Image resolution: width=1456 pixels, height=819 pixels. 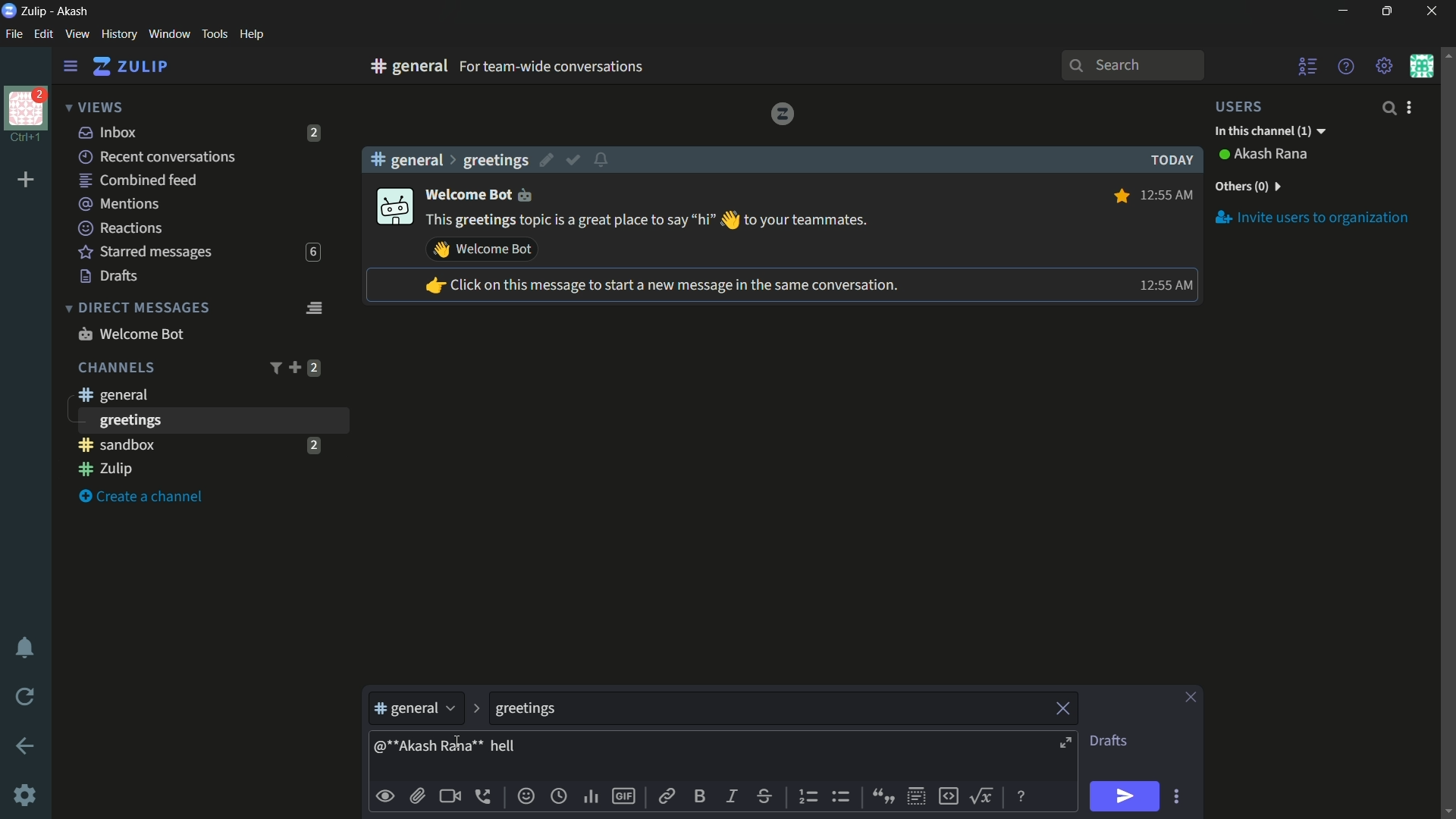 I want to click on # general for team wide conversations, so click(x=578, y=66).